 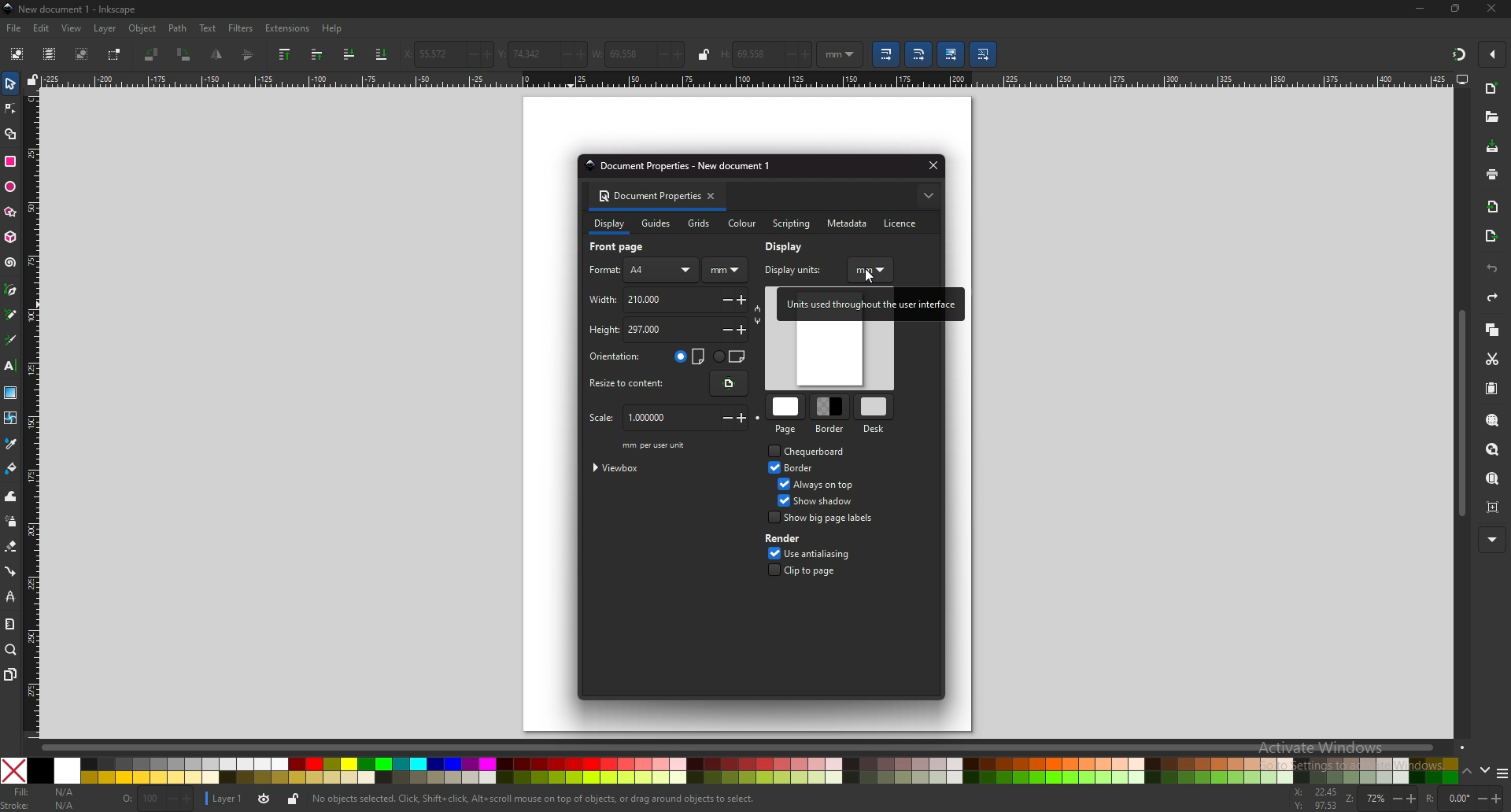 I want to click on viewbox, so click(x=622, y=467).